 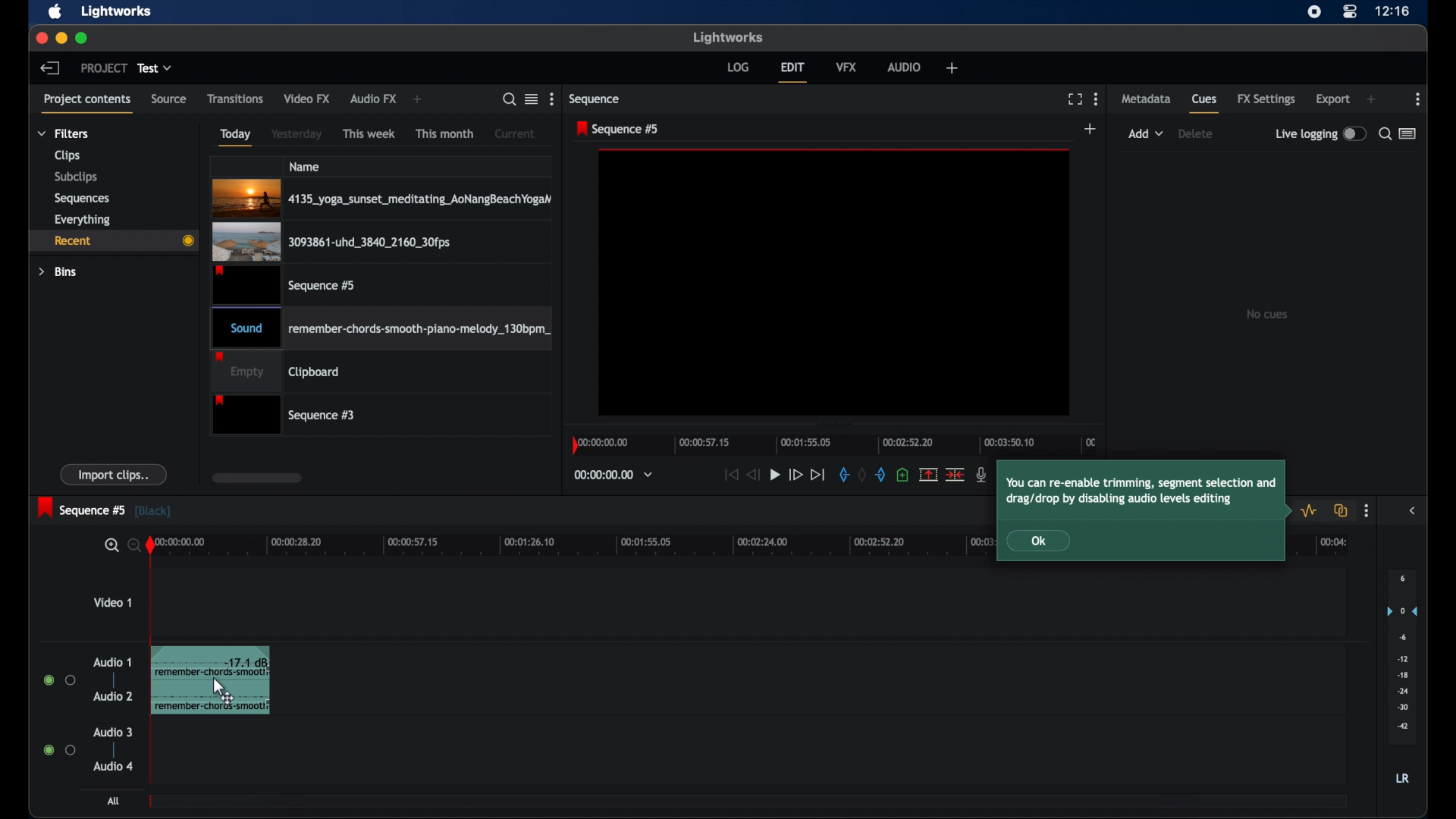 What do you see at coordinates (55, 12) in the screenshot?
I see `apple icon` at bounding box center [55, 12].